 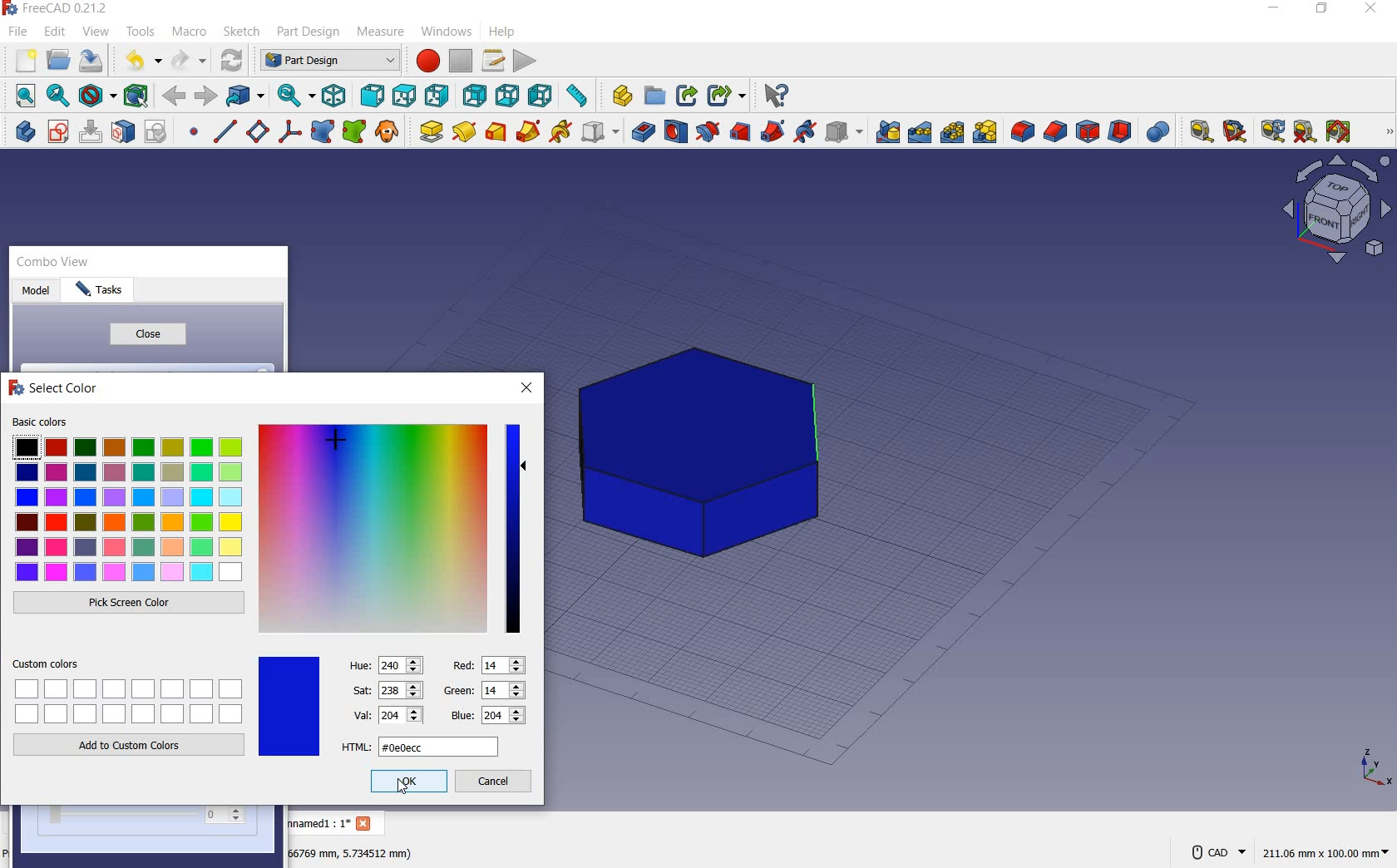 What do you see at coordinates (428, 131) in the screenshot?
I see `pad` at bounding box center [428, 131].